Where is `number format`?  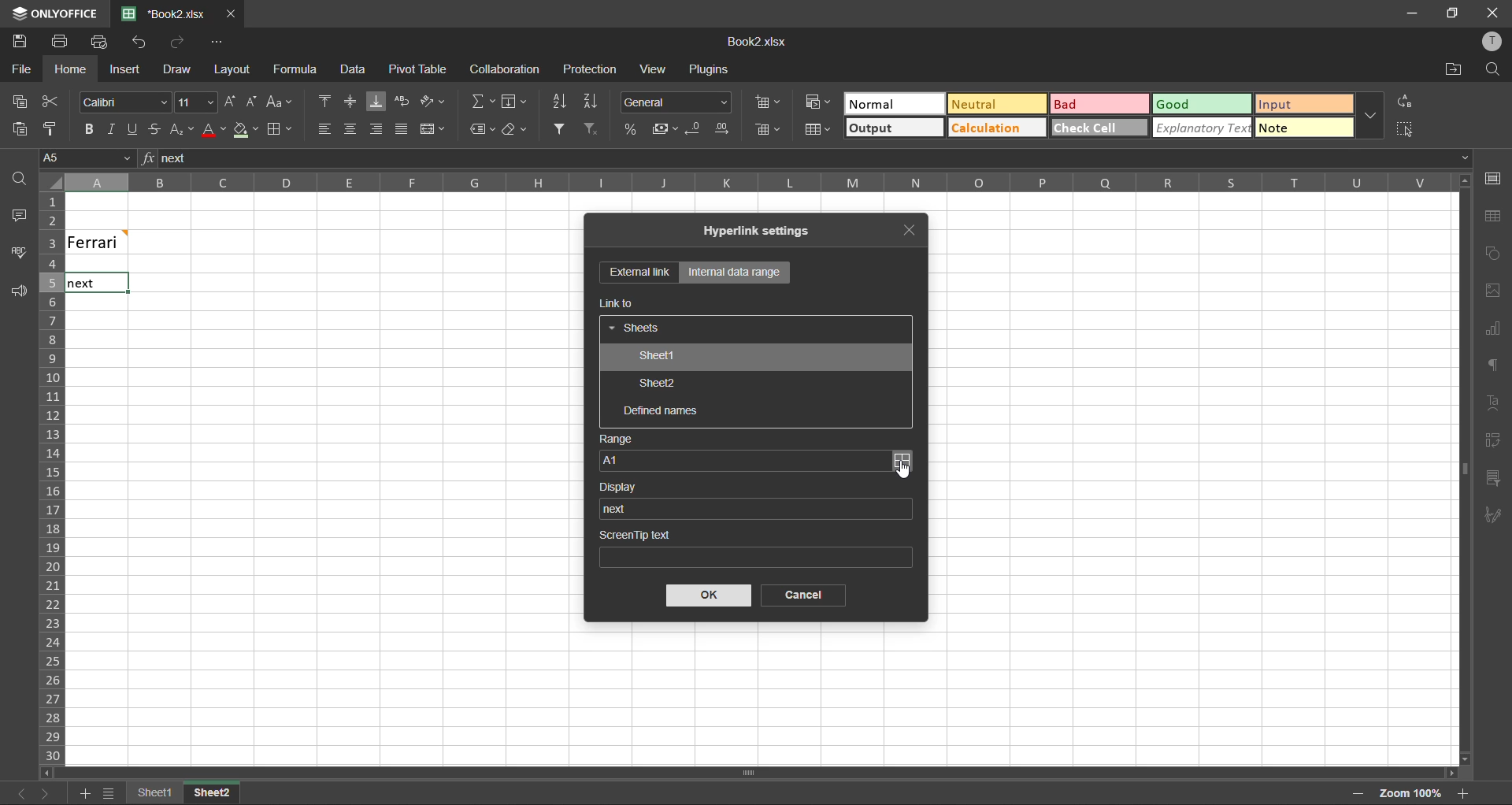
number format is located at coordinates (677, 102).